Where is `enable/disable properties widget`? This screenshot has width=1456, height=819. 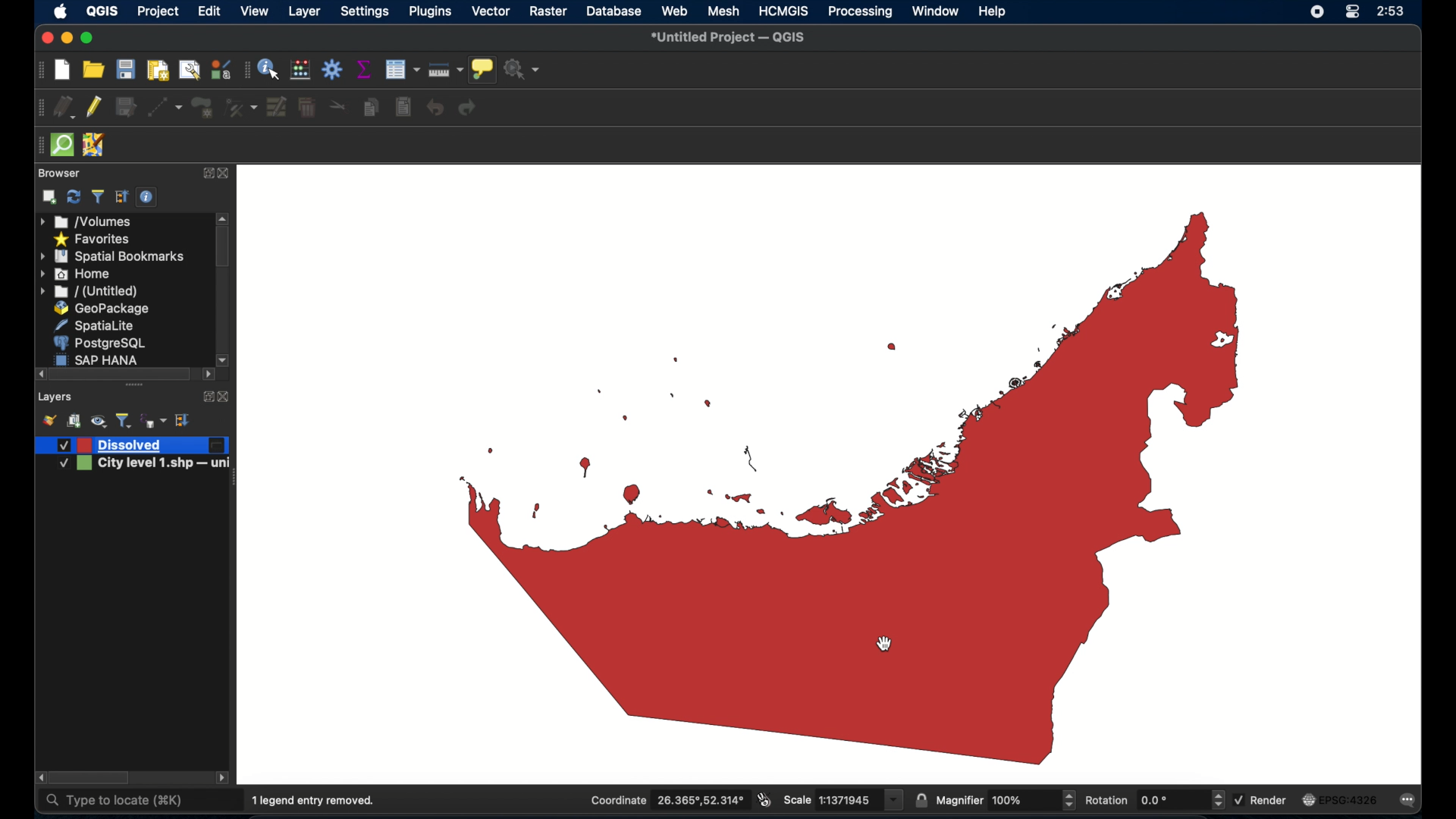
enable/disable properties widget is located at coordinates (146, 197).